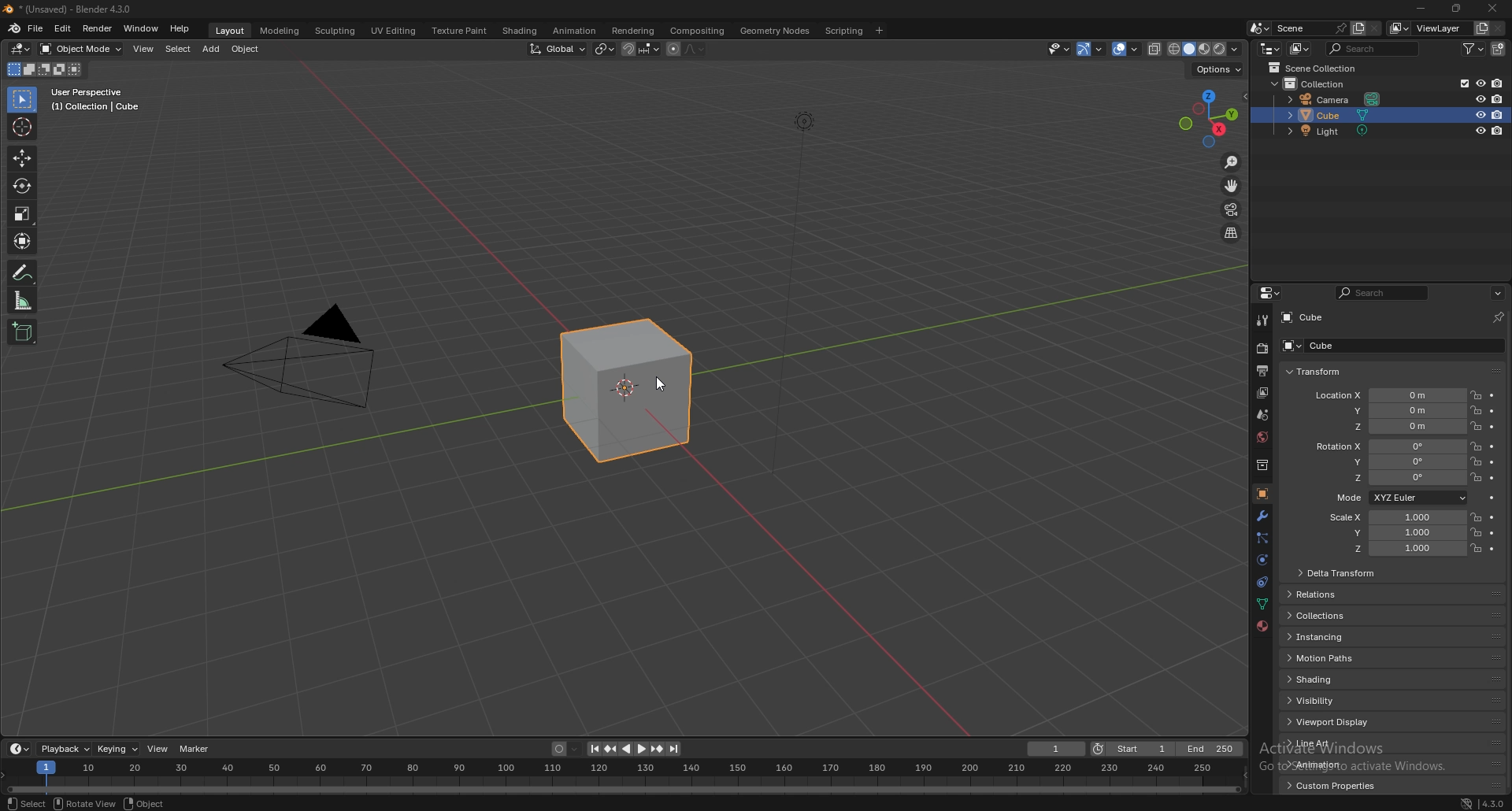 Image resolution: width=1512 pixels, height=811 pixels. What do you see at coordinates (461, 31) in the screenshot?
I see `texture paint` at bounding box center [461, 31].